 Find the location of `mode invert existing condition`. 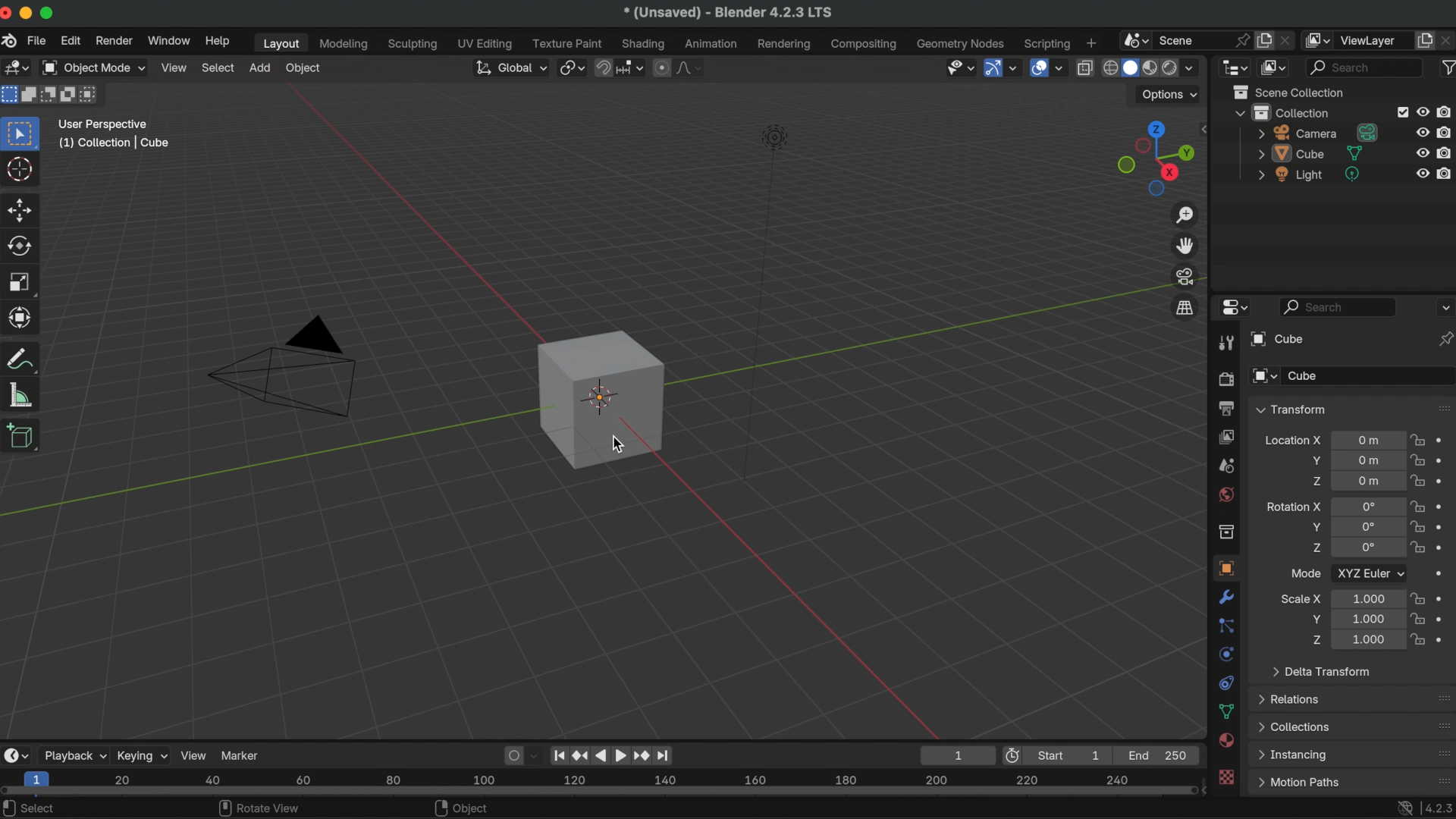

mode invert existing condition is located at coordinates (69, 96).